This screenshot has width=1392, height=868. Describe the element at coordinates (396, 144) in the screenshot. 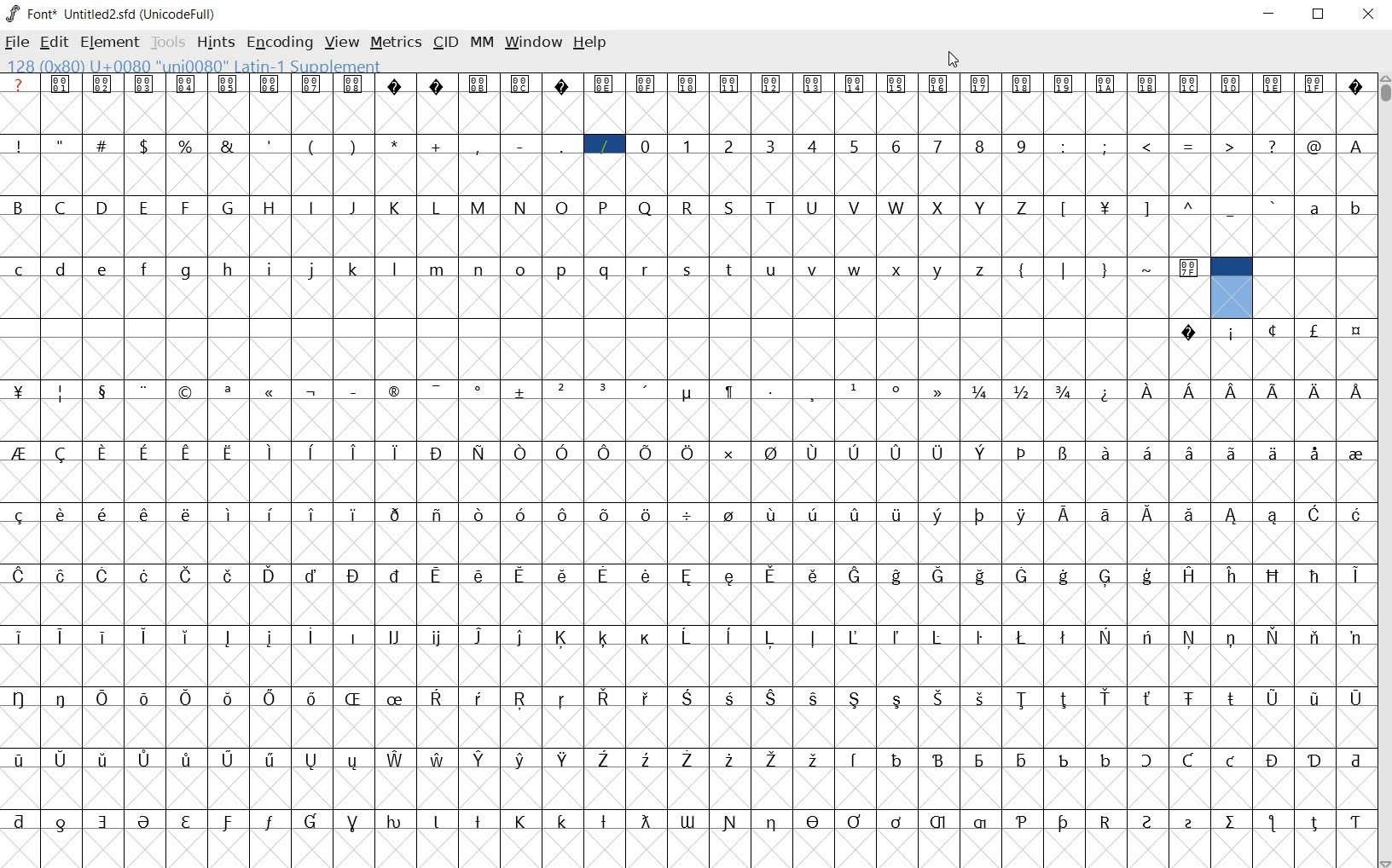

I see `*` at that location.